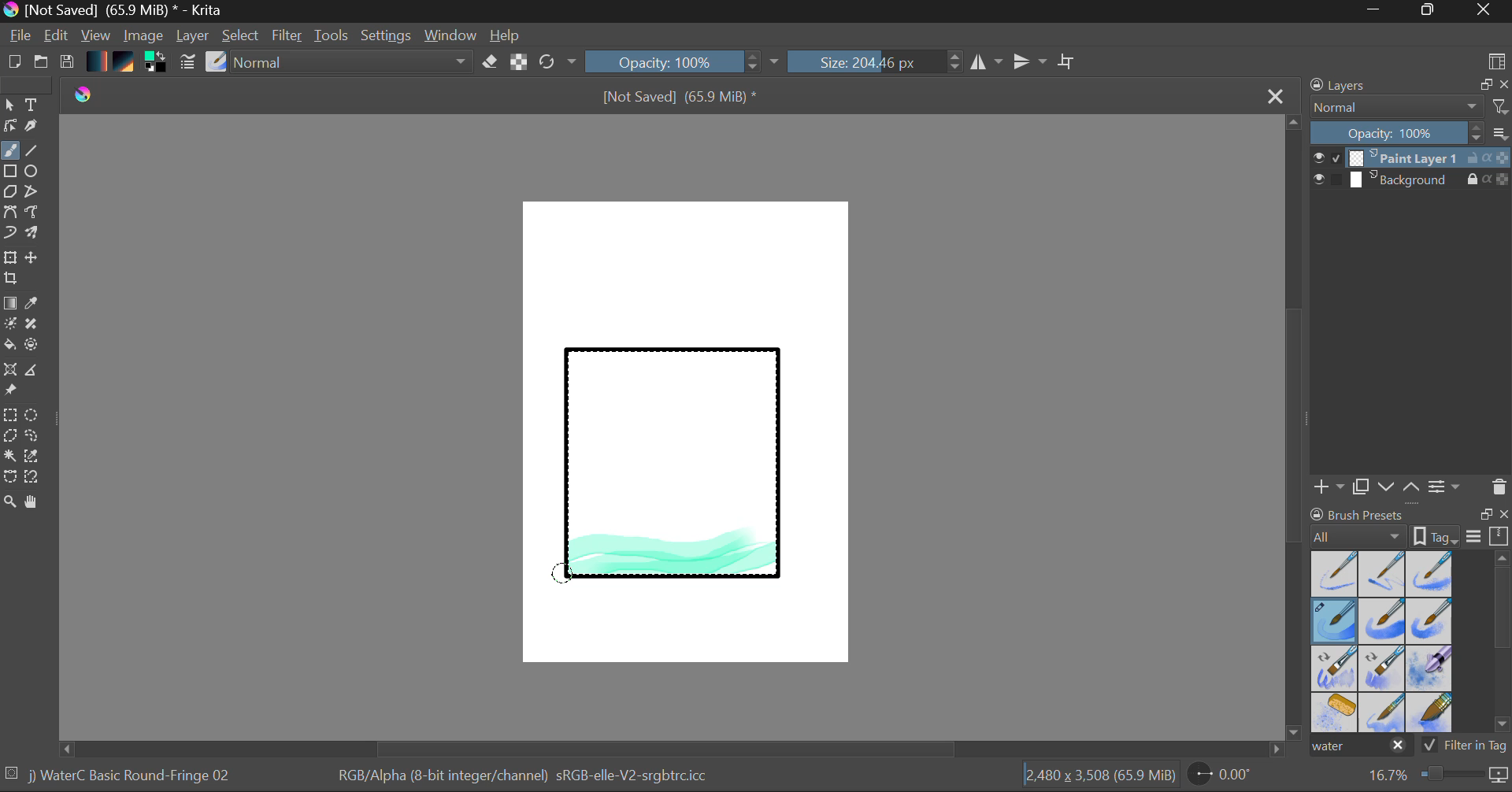 The width and height of the screenshot is (1512, 792). Describe the element at coordinates (289, 38) in the screenshot. I see `Filter` at that location.